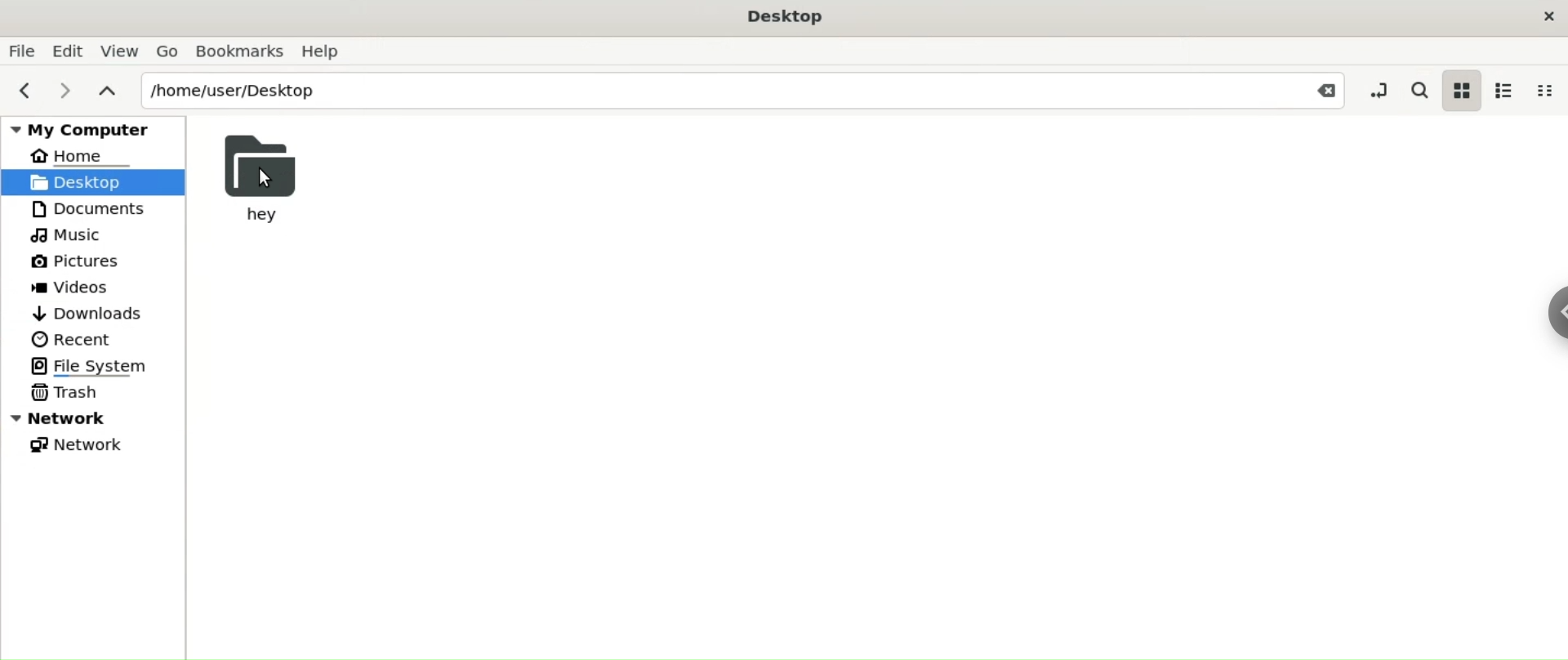 Image resolution: width=1568 pixels, height=660 pixels. I want to click on Downloads, so click(91, 313).